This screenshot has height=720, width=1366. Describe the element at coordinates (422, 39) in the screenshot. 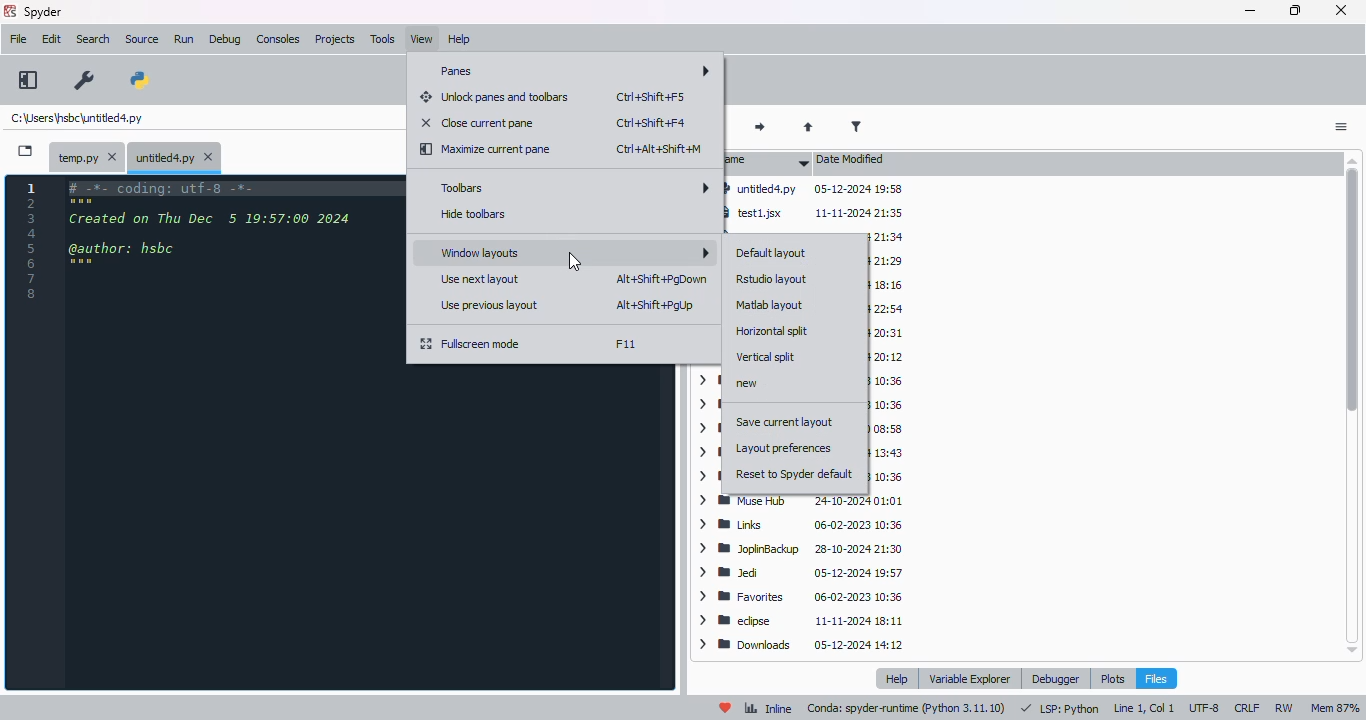

I see `view` at that location.